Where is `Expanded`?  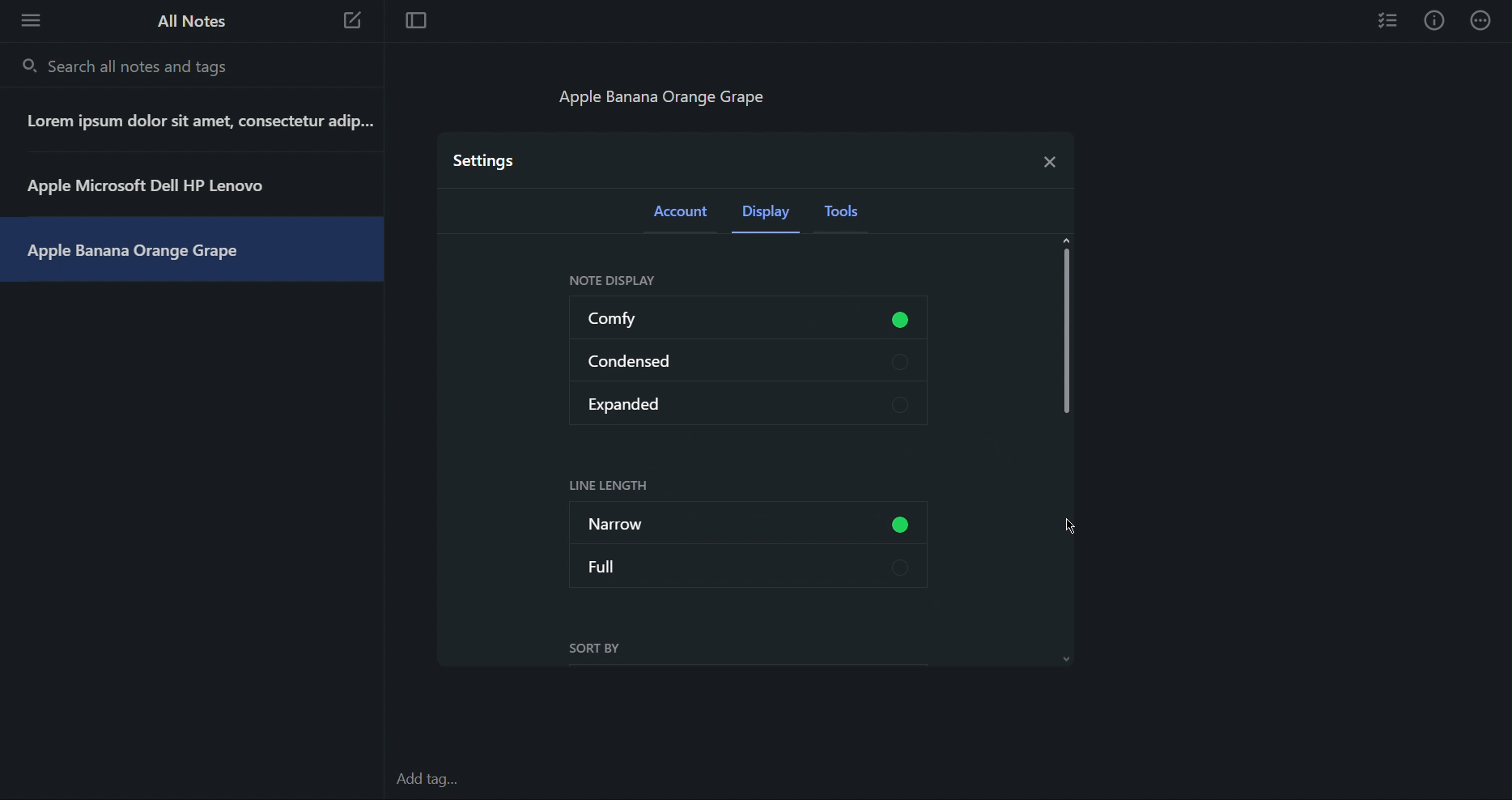 Expanded is located at coordinates (747, 402).